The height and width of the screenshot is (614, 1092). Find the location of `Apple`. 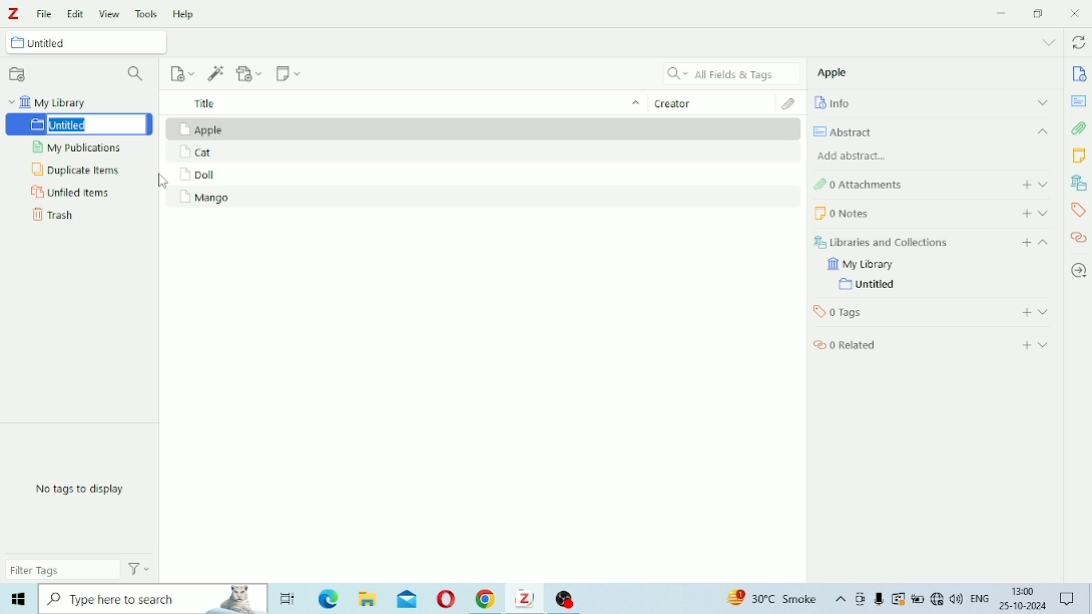

Apple is located at coordinates (207, 129).